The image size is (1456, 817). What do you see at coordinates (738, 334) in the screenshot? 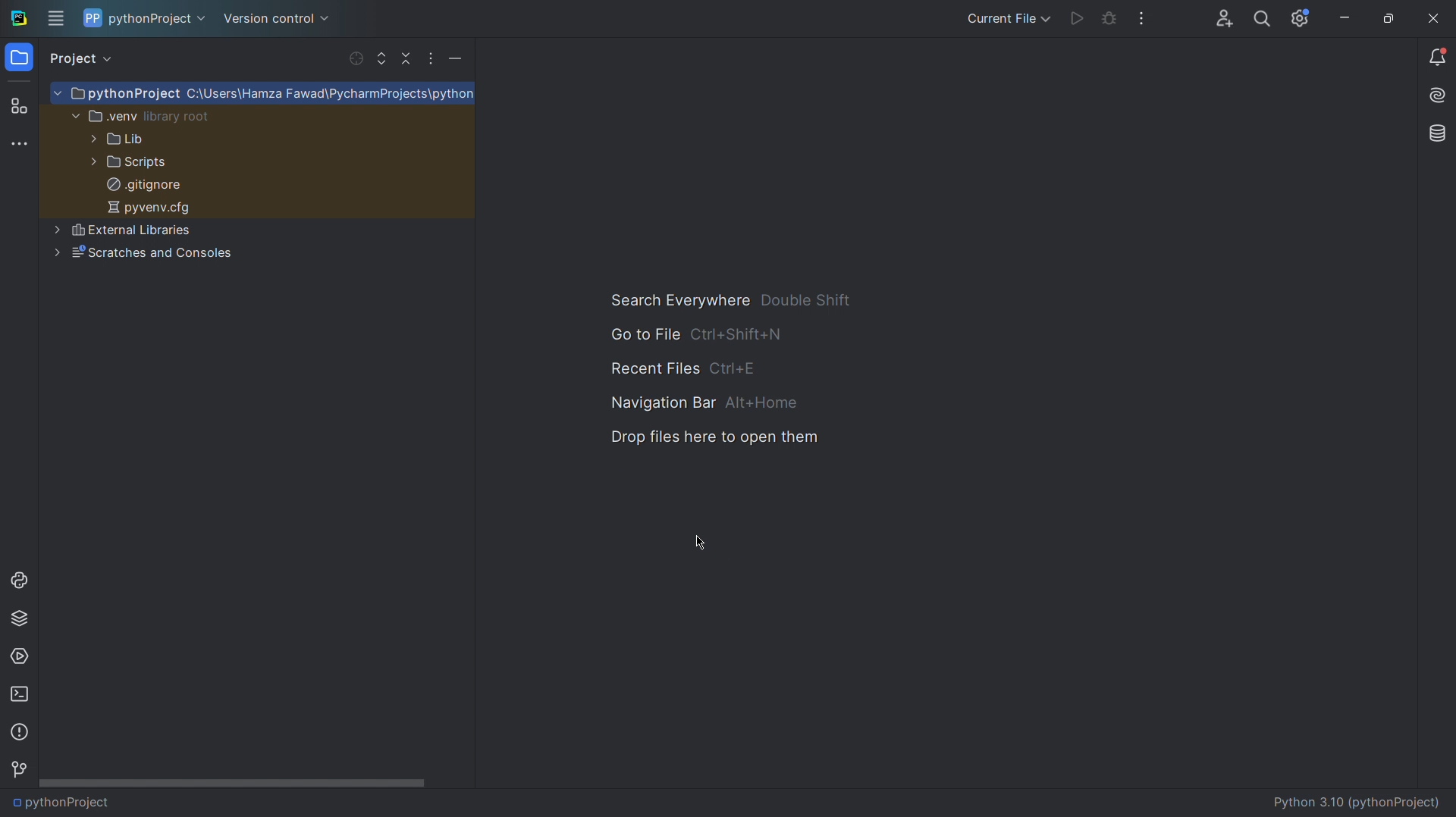
I see `Go to File Ctrl+Shift+N` at bounding box center [738, 334].